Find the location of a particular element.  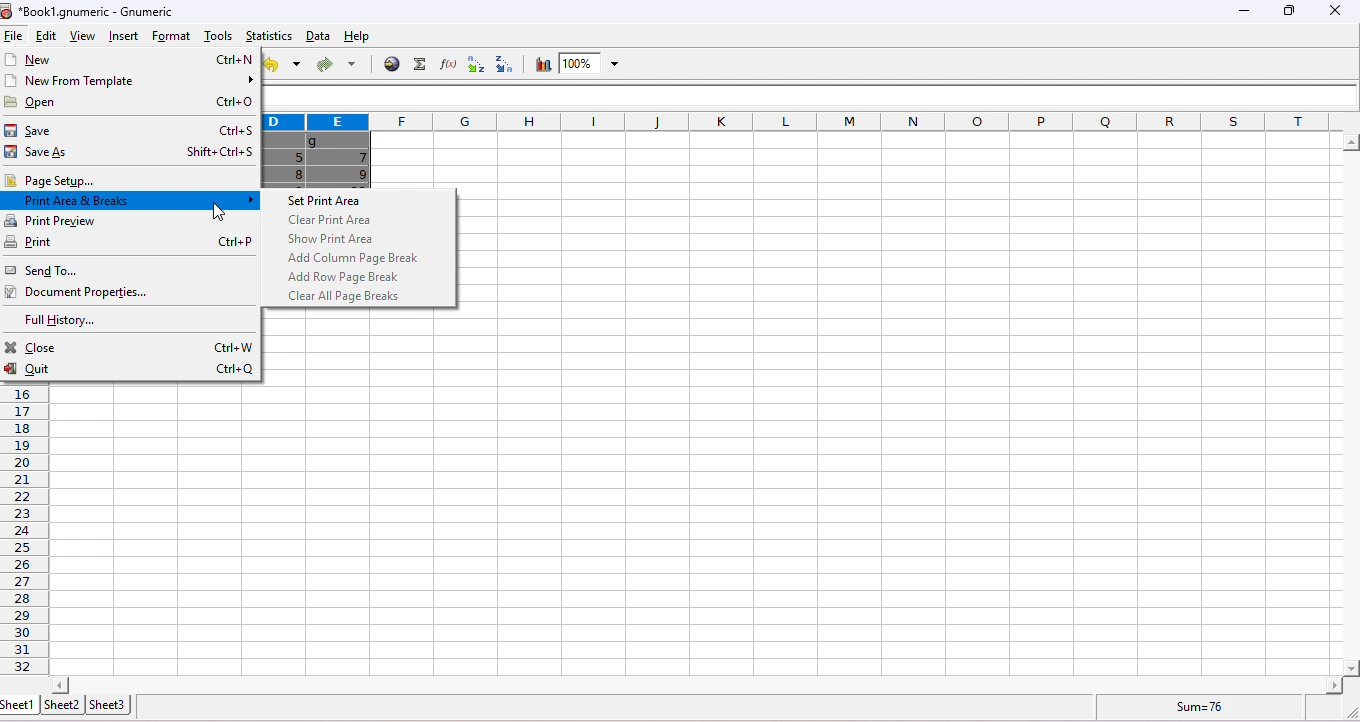

zoom is located at coordinates (592, 64).